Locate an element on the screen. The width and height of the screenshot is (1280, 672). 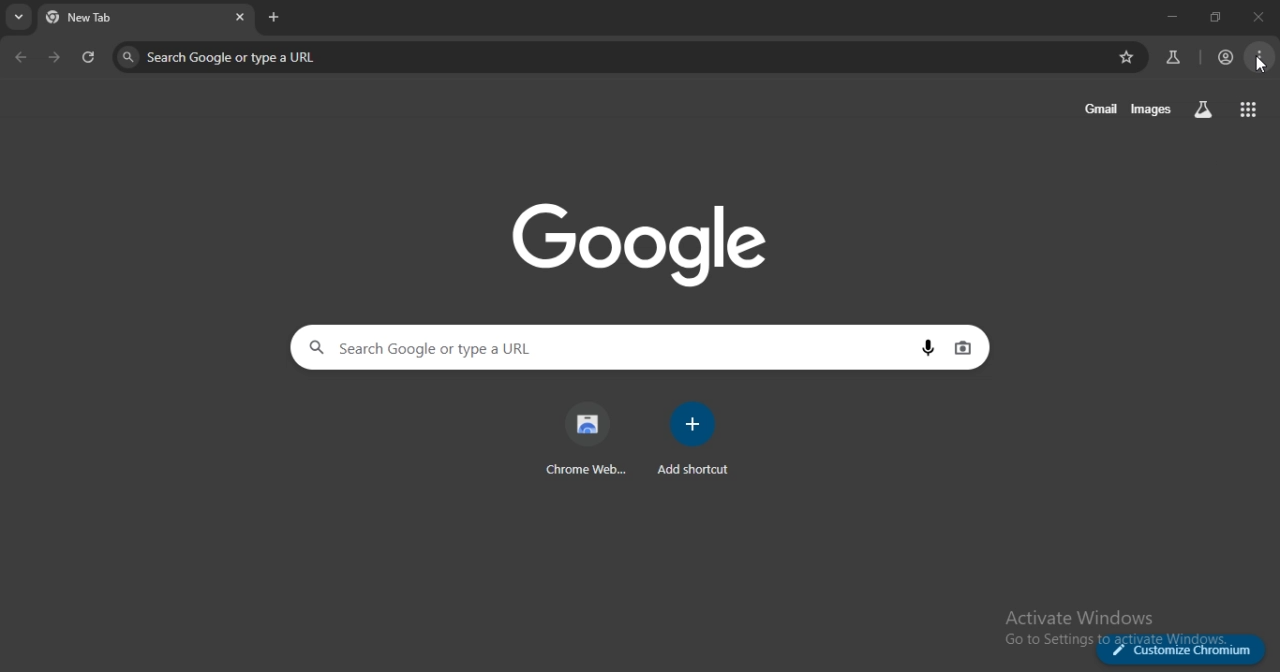
go back one page is located at coordinates (22, 56).